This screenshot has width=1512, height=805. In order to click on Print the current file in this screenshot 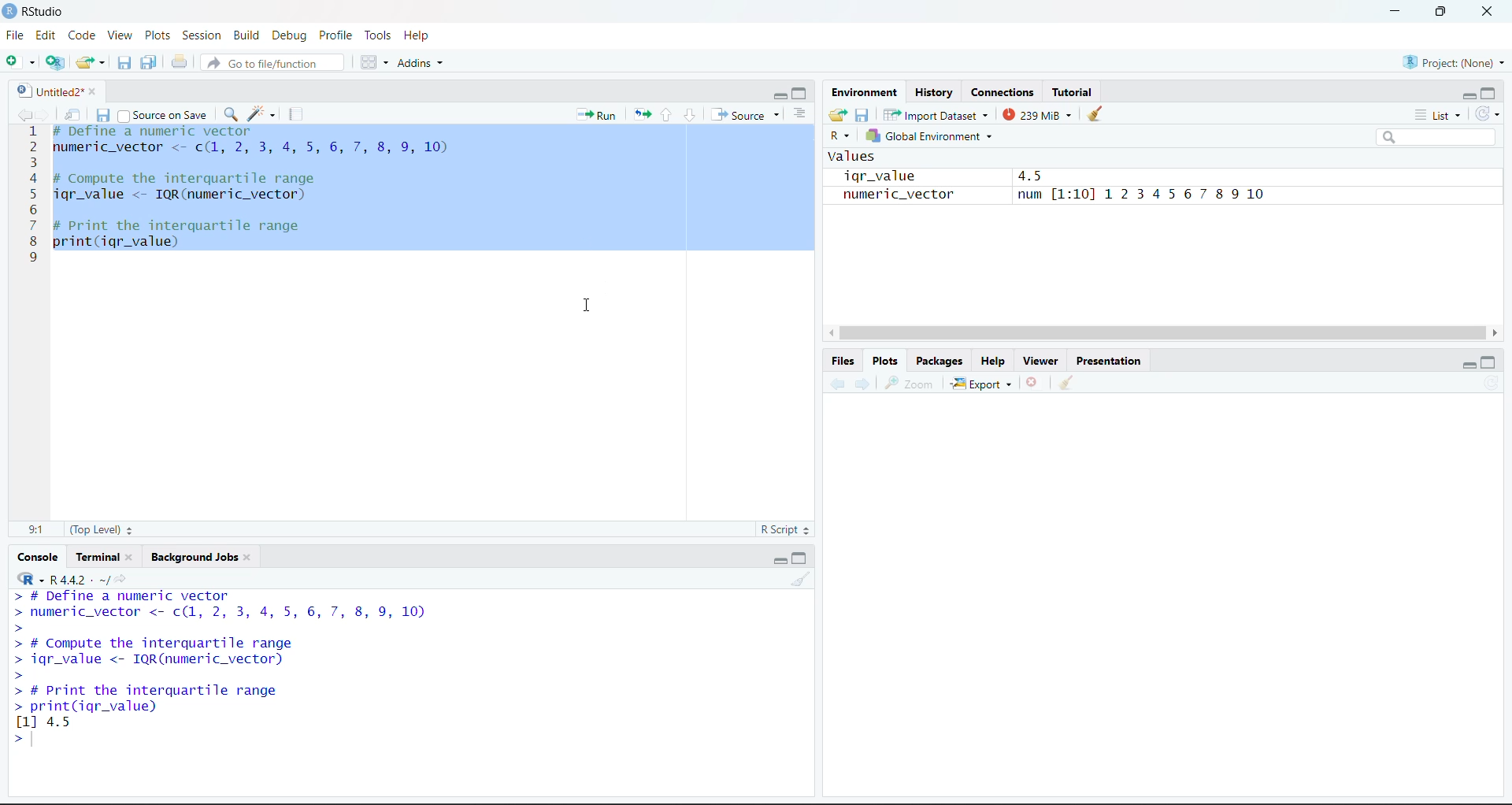, I will do `click(178, 61)`.